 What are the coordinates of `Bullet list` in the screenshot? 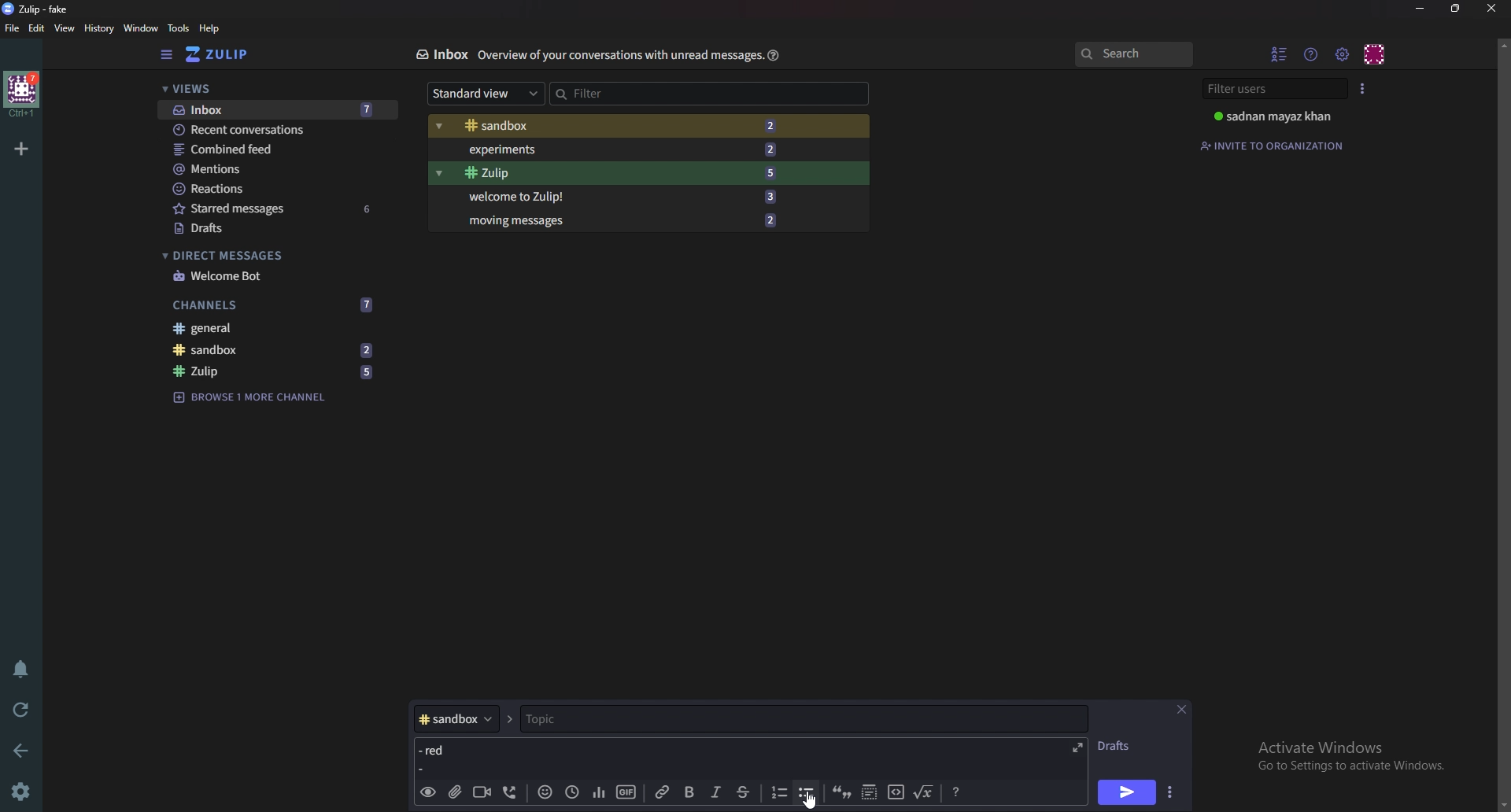 It's located at (807, 792).